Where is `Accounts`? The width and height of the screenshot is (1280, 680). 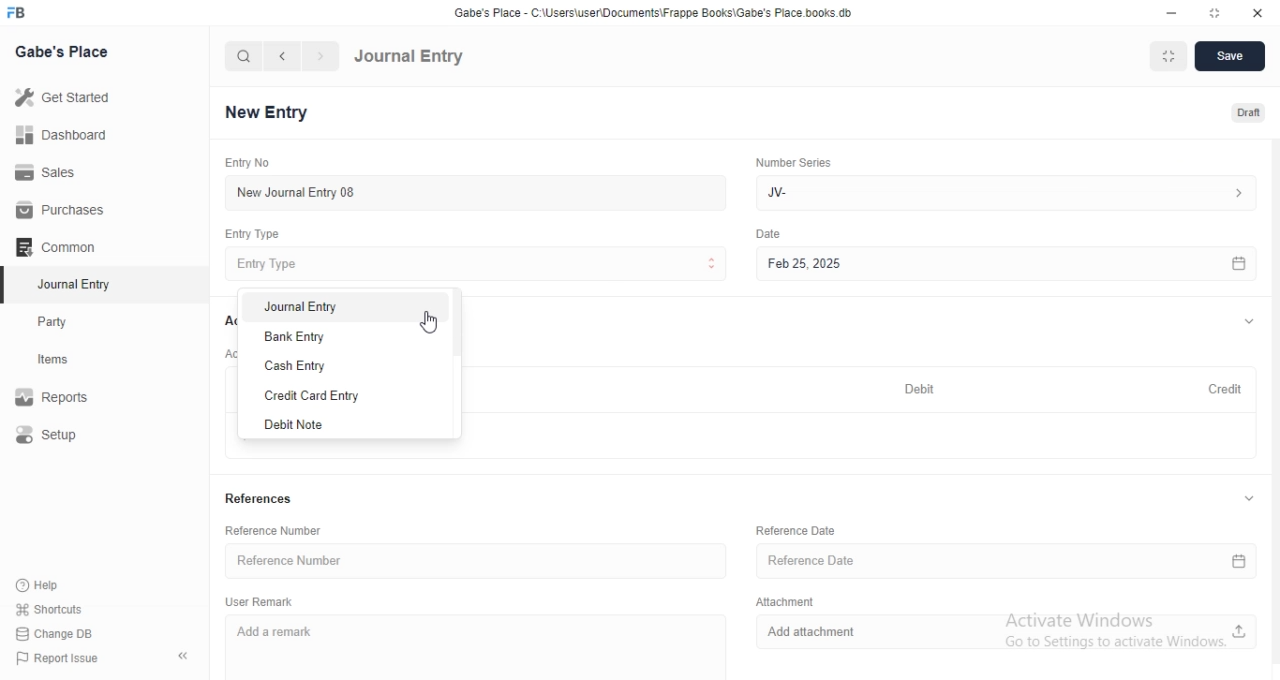
Accounts is located at coordinates (231, 322).